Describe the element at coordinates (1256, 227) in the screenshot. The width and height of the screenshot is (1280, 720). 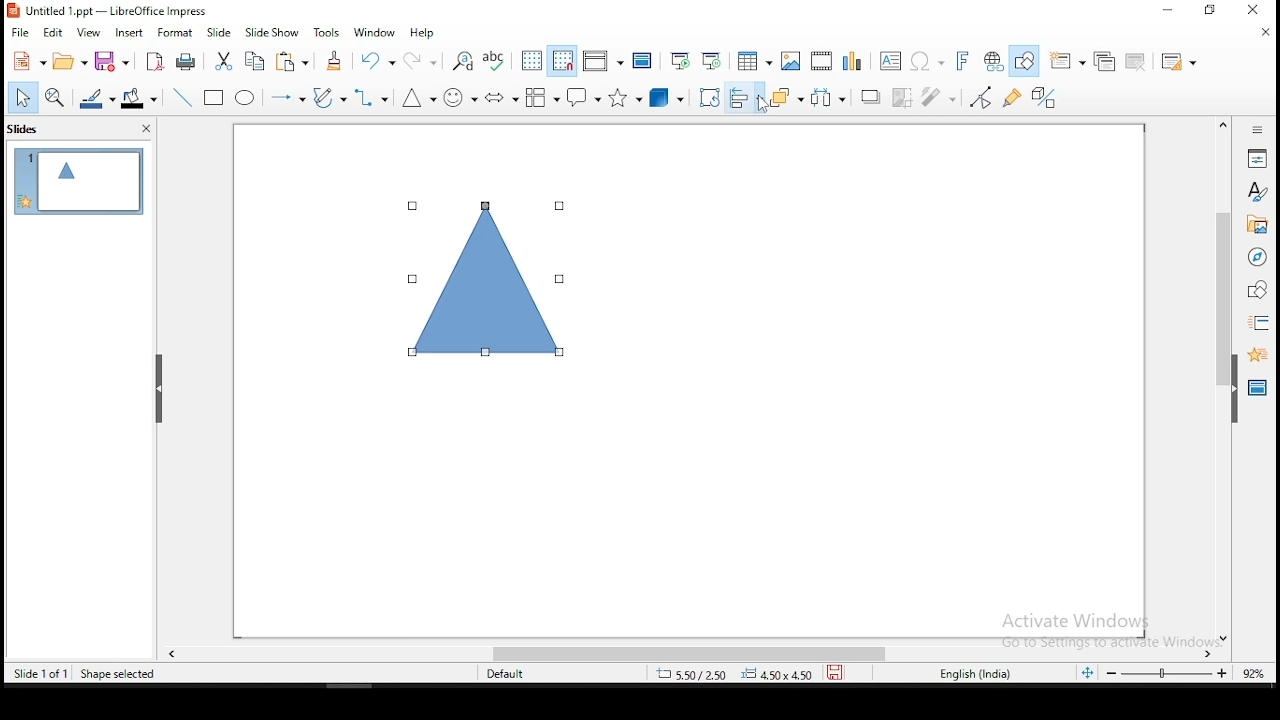
I see `gallery` at that location.